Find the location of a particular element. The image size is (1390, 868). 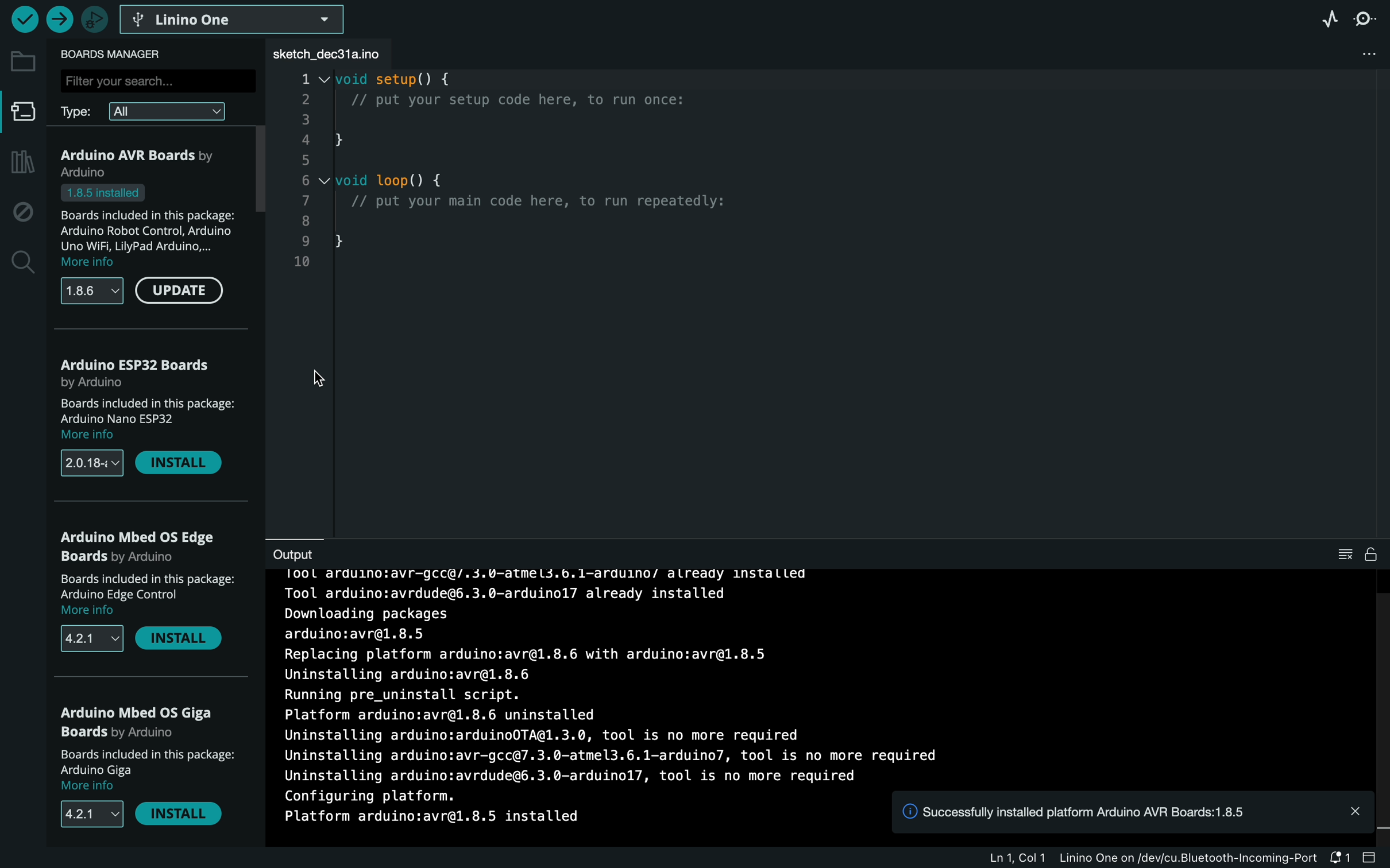

versions is located at coordinates (91, 292).